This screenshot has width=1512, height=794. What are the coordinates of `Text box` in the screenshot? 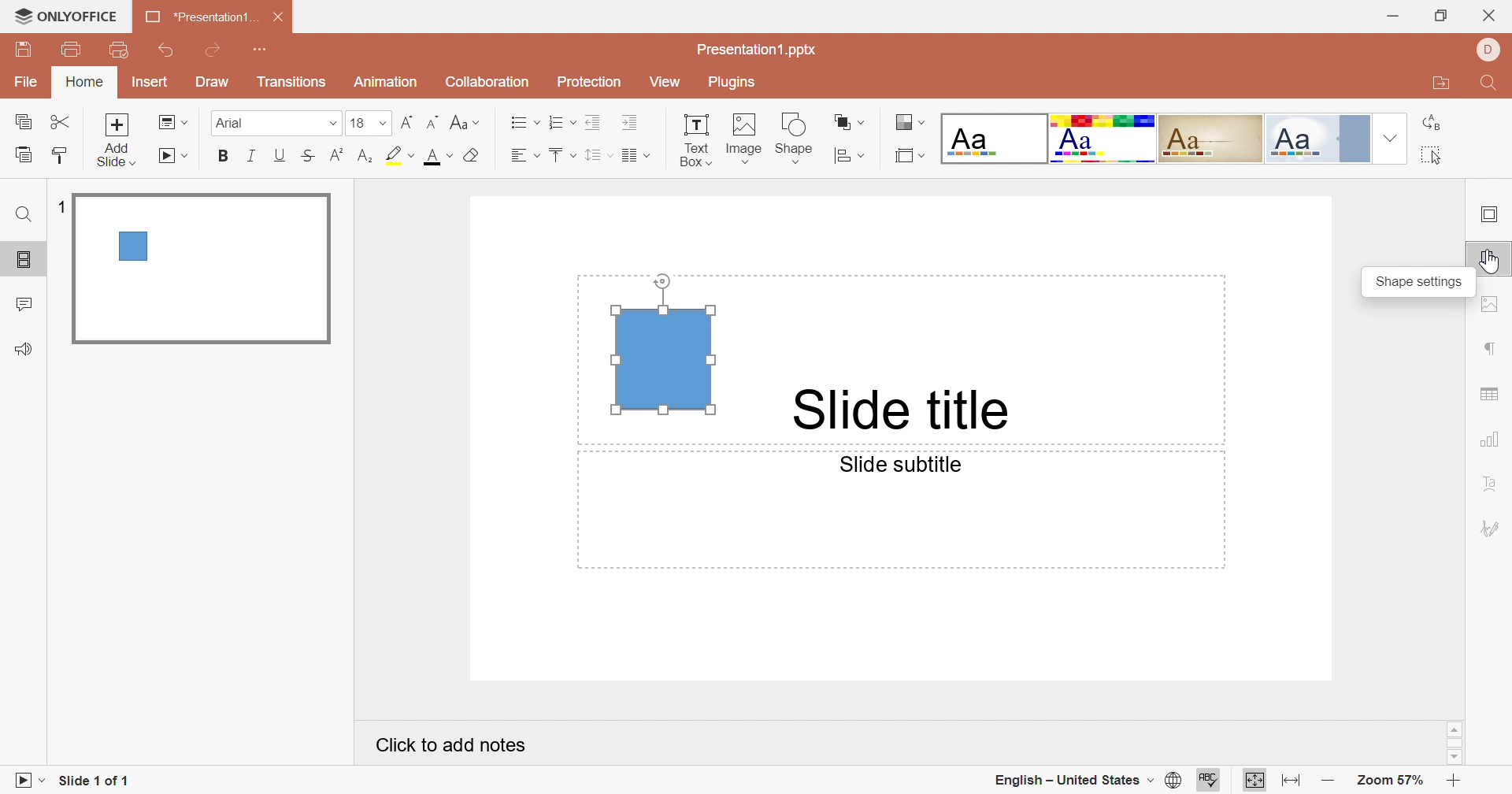 It's located at (665, 340).